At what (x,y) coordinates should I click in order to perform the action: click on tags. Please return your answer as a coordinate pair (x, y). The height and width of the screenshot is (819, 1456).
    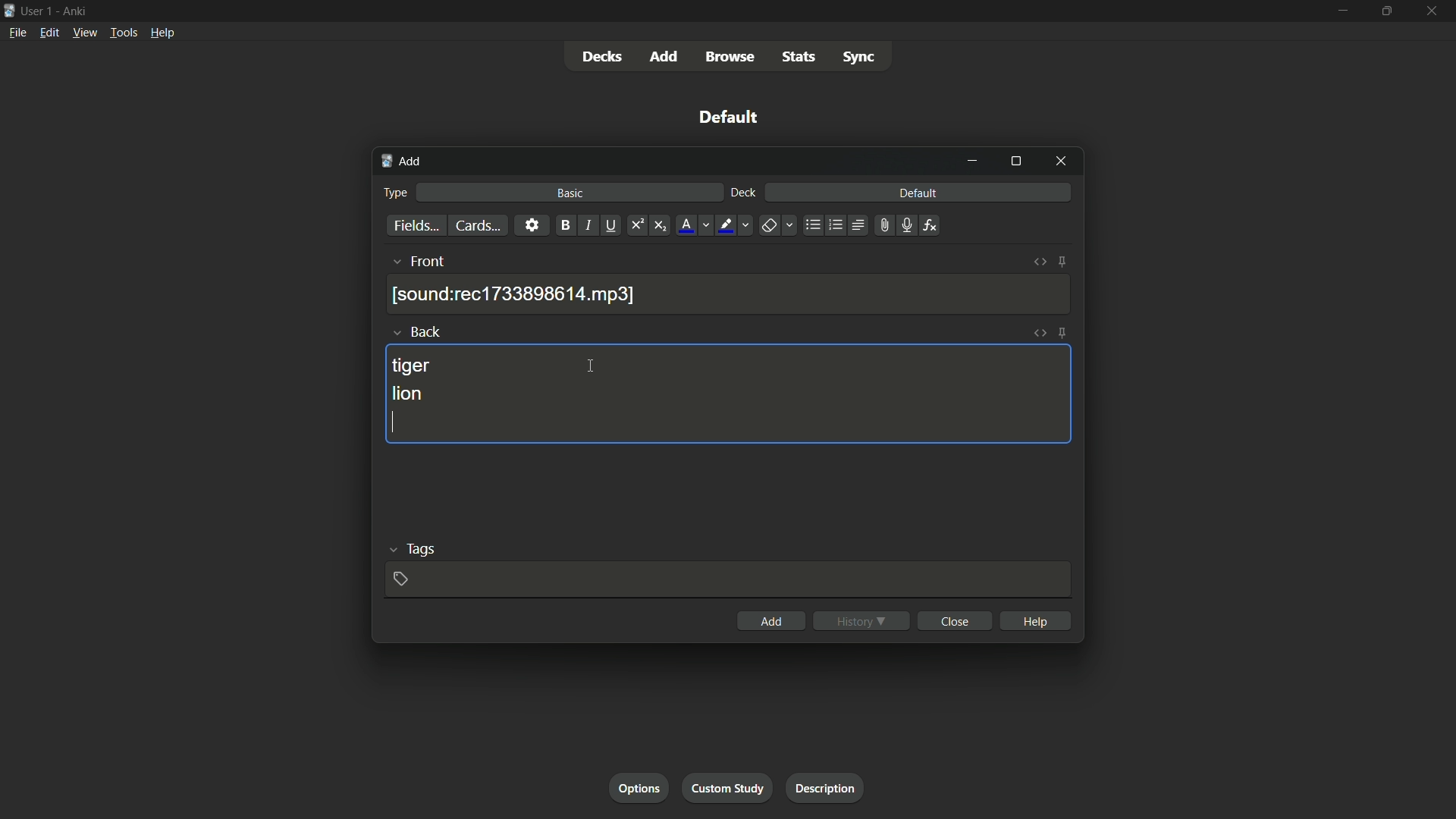
    Looking at the image, I should click on (420, 551).